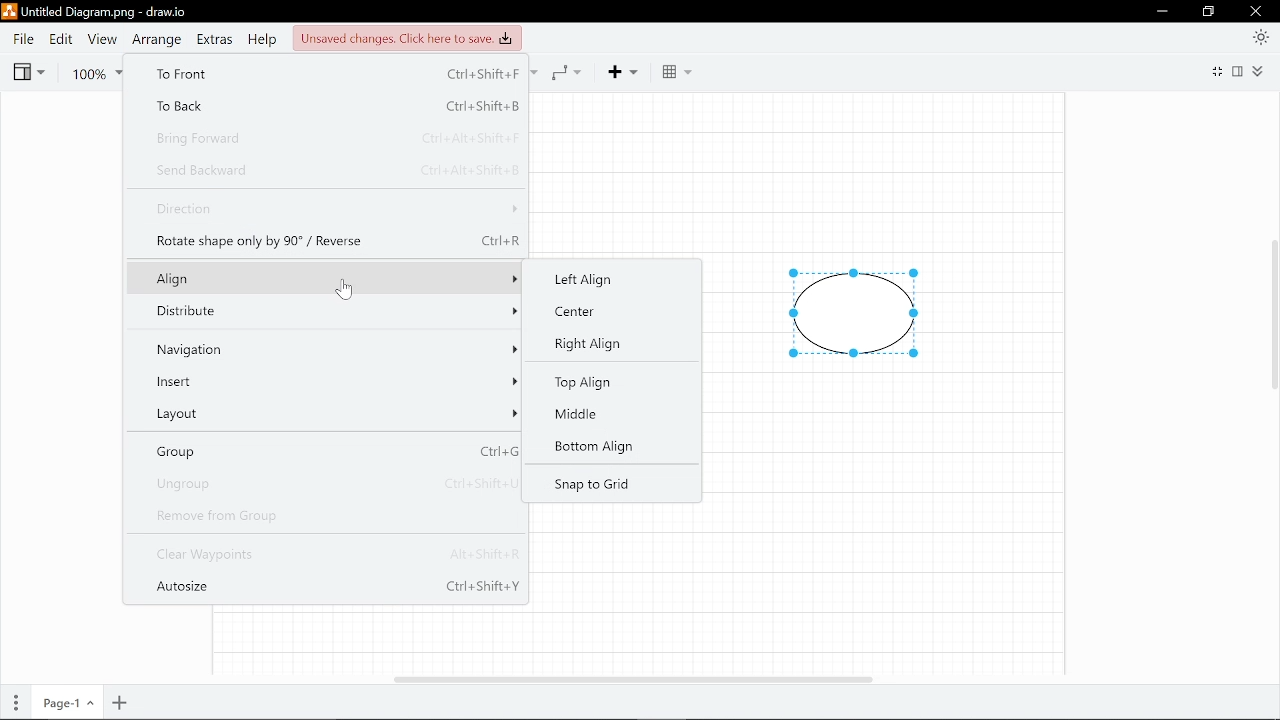  What do you see at coordinates (854, 314) in the screenshot?
I see `Diagram` at bounding box center [854, 314].